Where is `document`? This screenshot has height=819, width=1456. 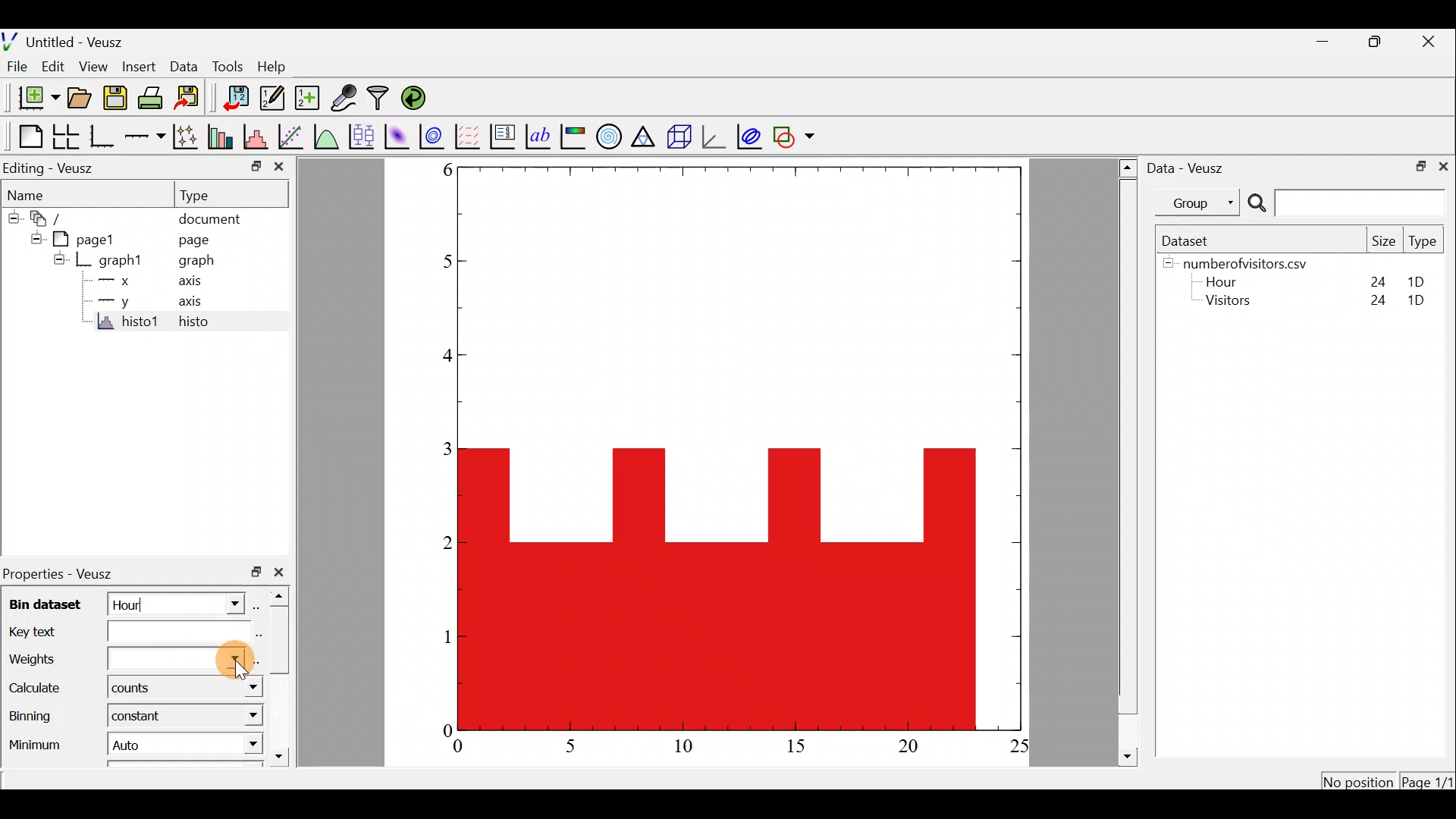 document is located at coordinates (214, 218).